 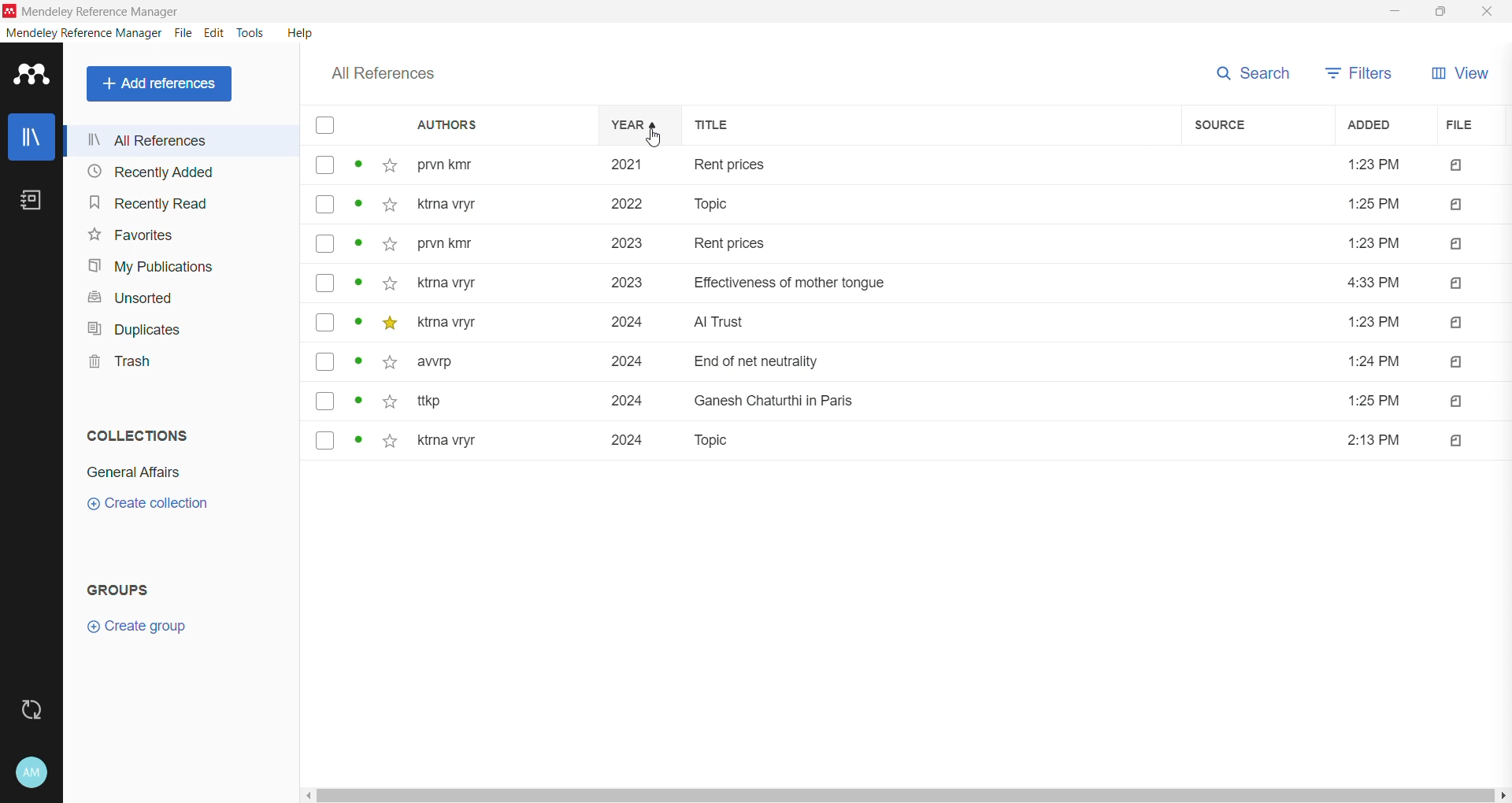 I want to click on File, so click(x=184, y=33).